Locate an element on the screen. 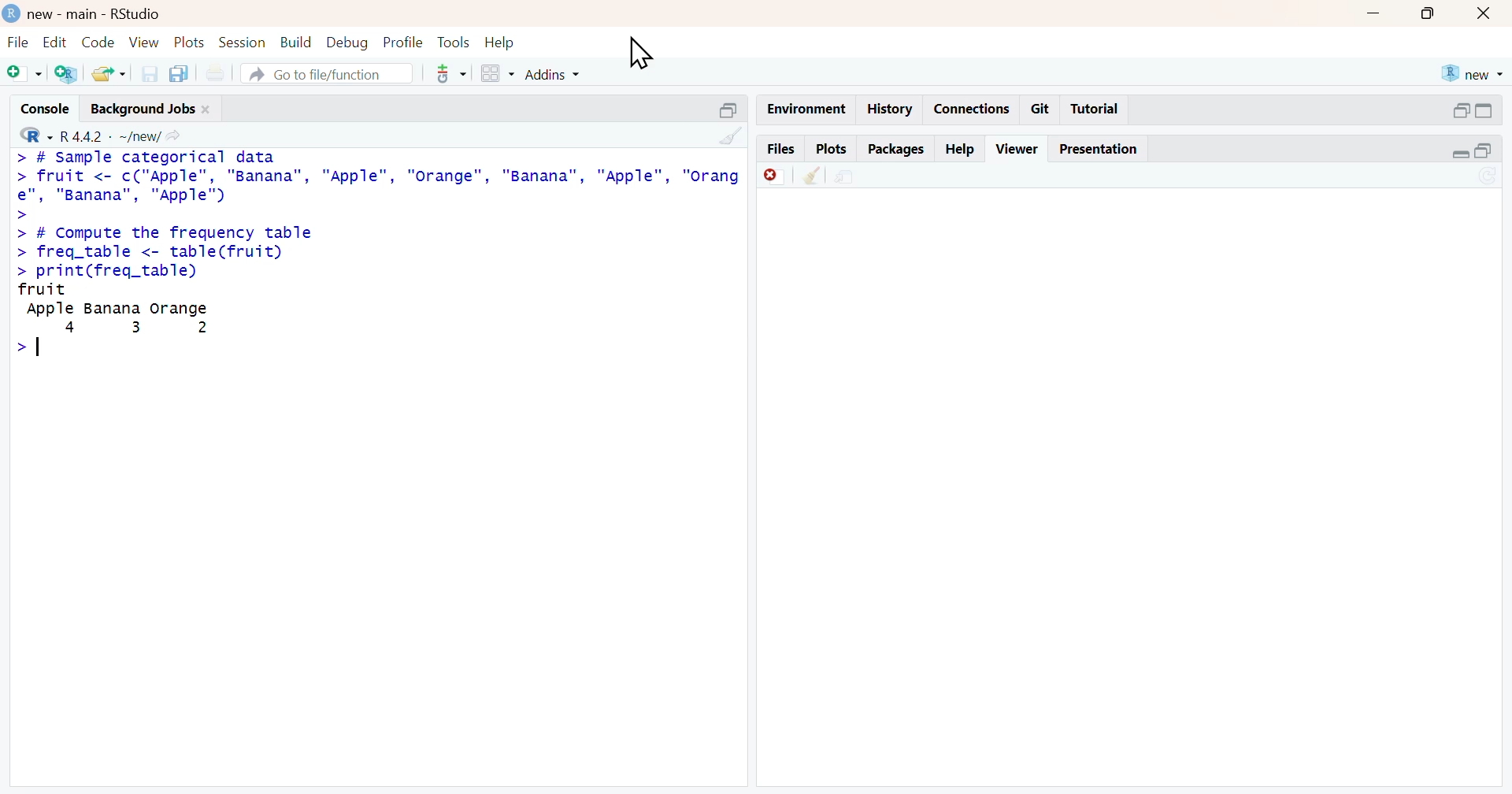 This screenshot has width=1512, height=794. environment is located at coordinates (809, 106).